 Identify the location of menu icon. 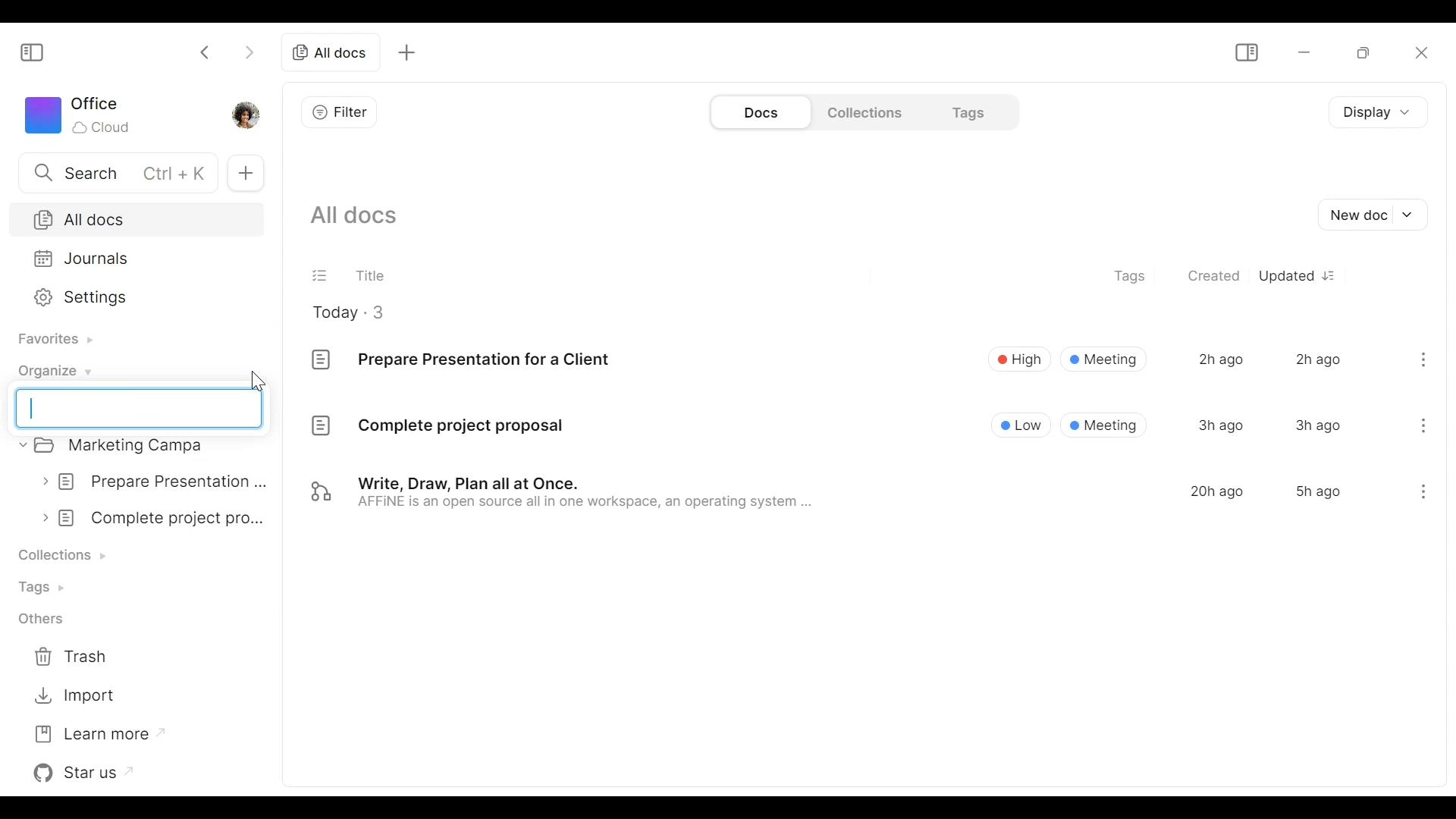
(1424, 357).